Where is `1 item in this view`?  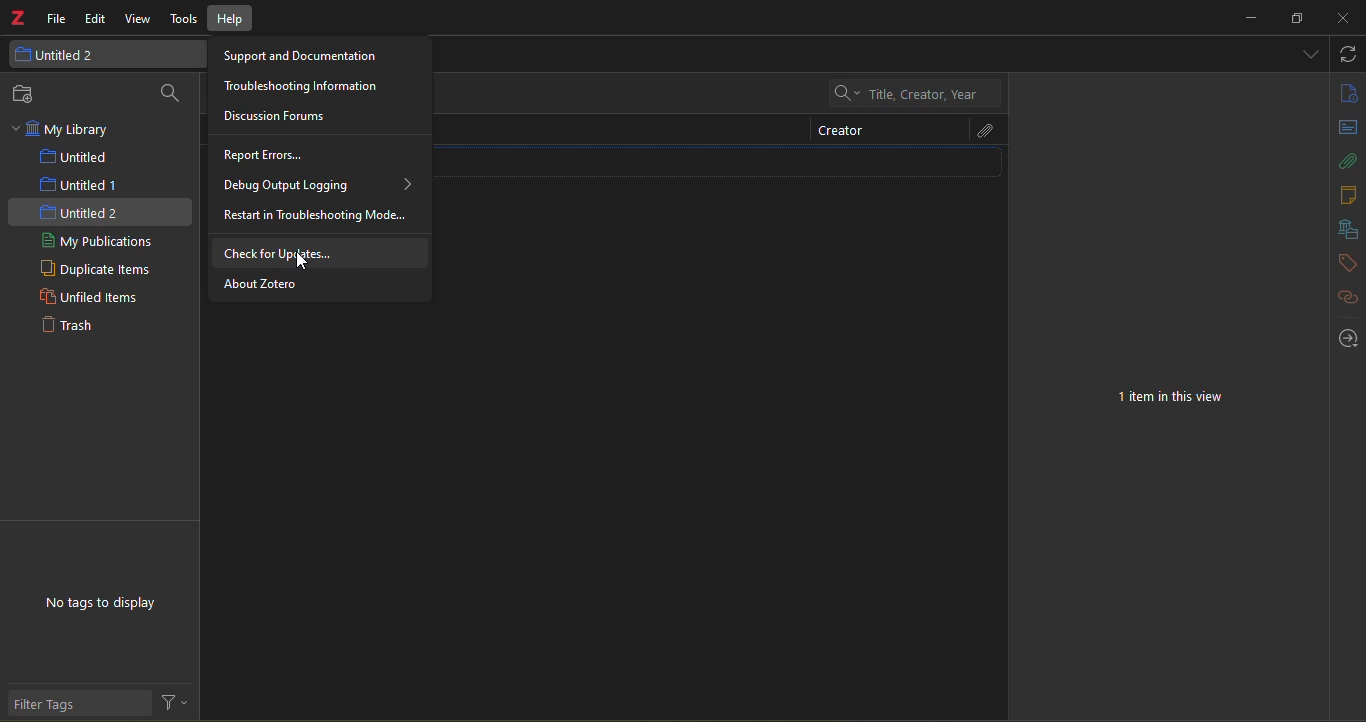
1 item in this view is located at coordinates (1170, 398).